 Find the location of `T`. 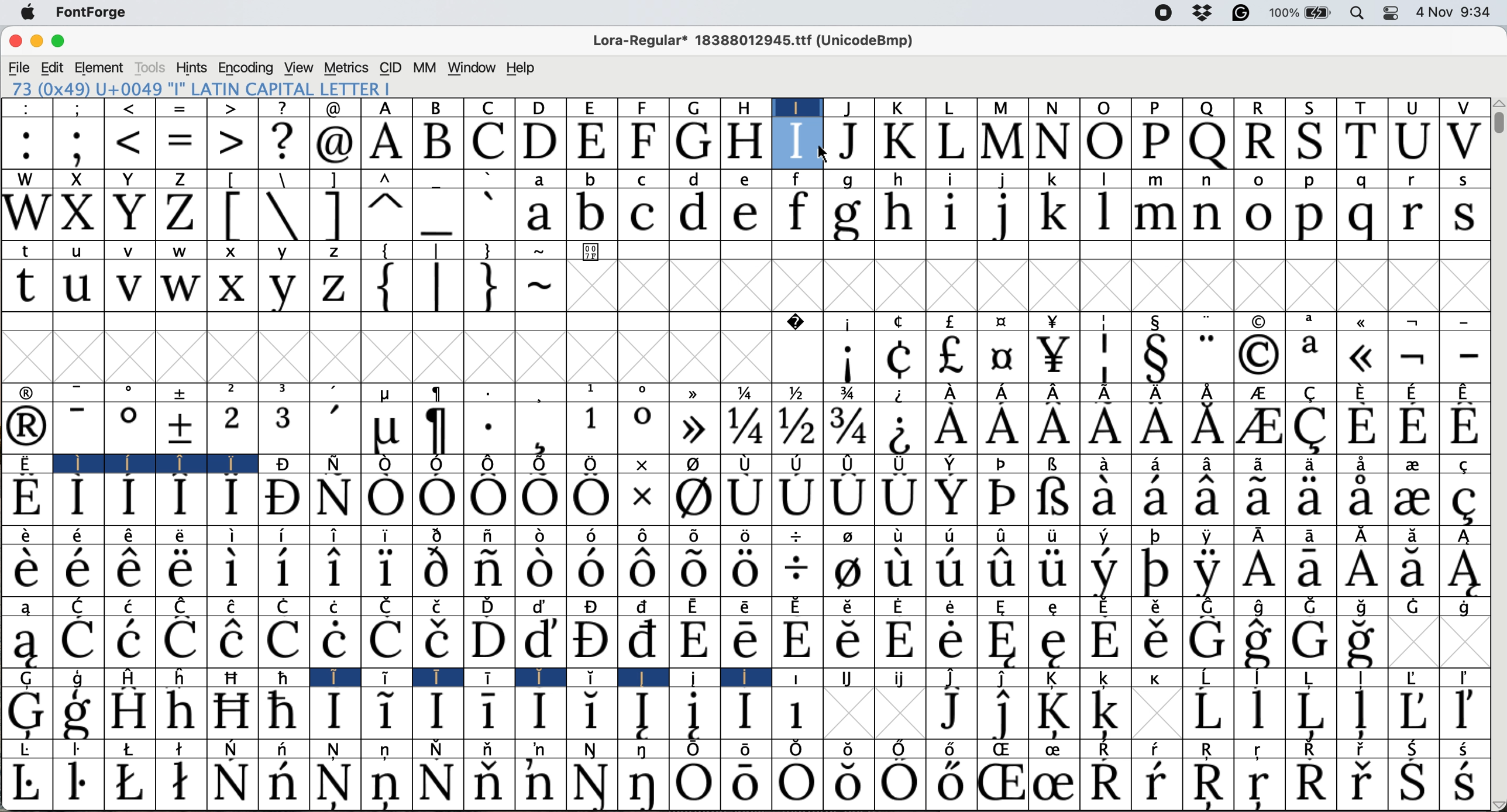

T is located at coordinates (1361, 106).